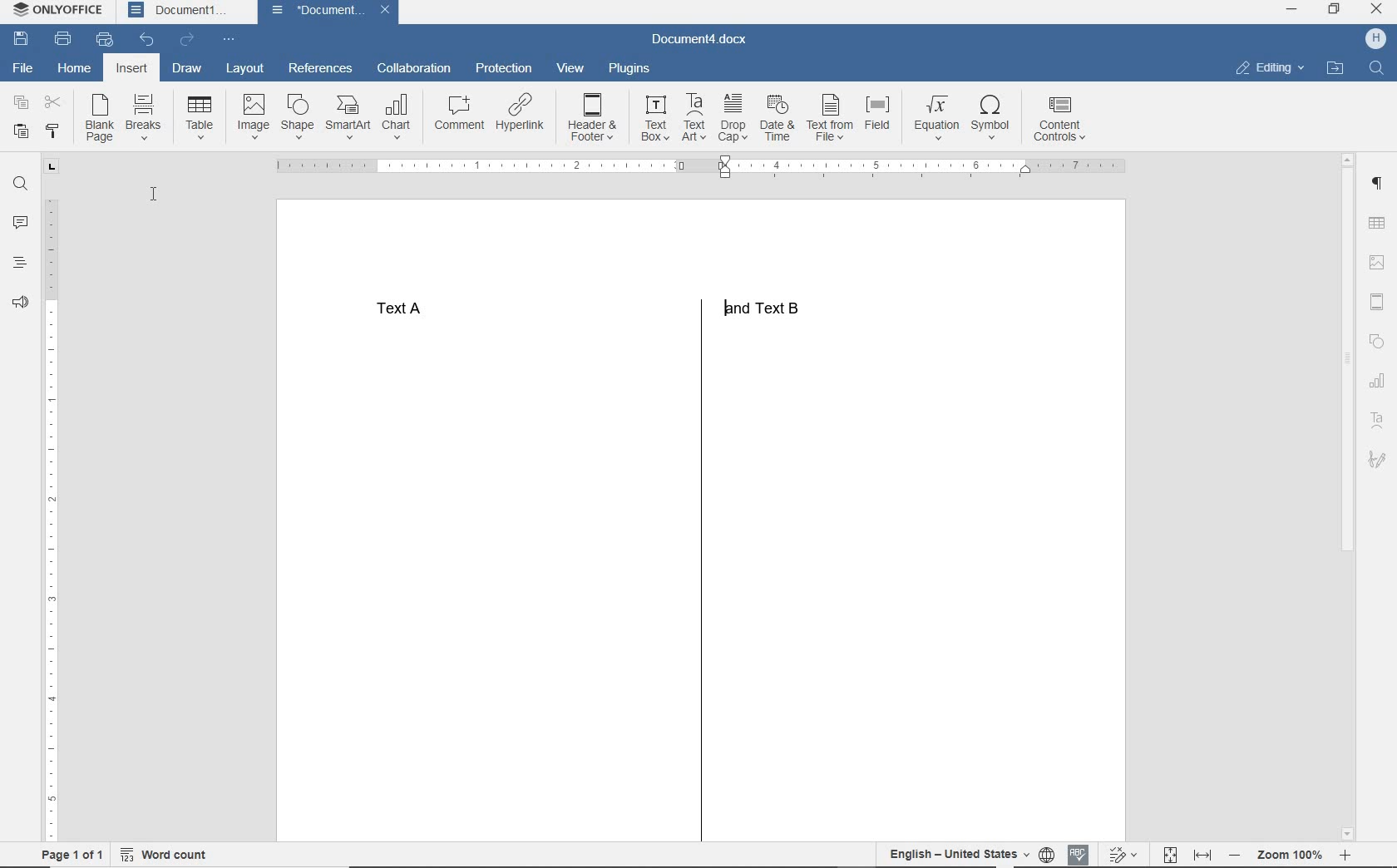  What do you see at coordinates (21, 220) in the screenshot?
I see `COMMENTS` at bounding box center [21, 220].